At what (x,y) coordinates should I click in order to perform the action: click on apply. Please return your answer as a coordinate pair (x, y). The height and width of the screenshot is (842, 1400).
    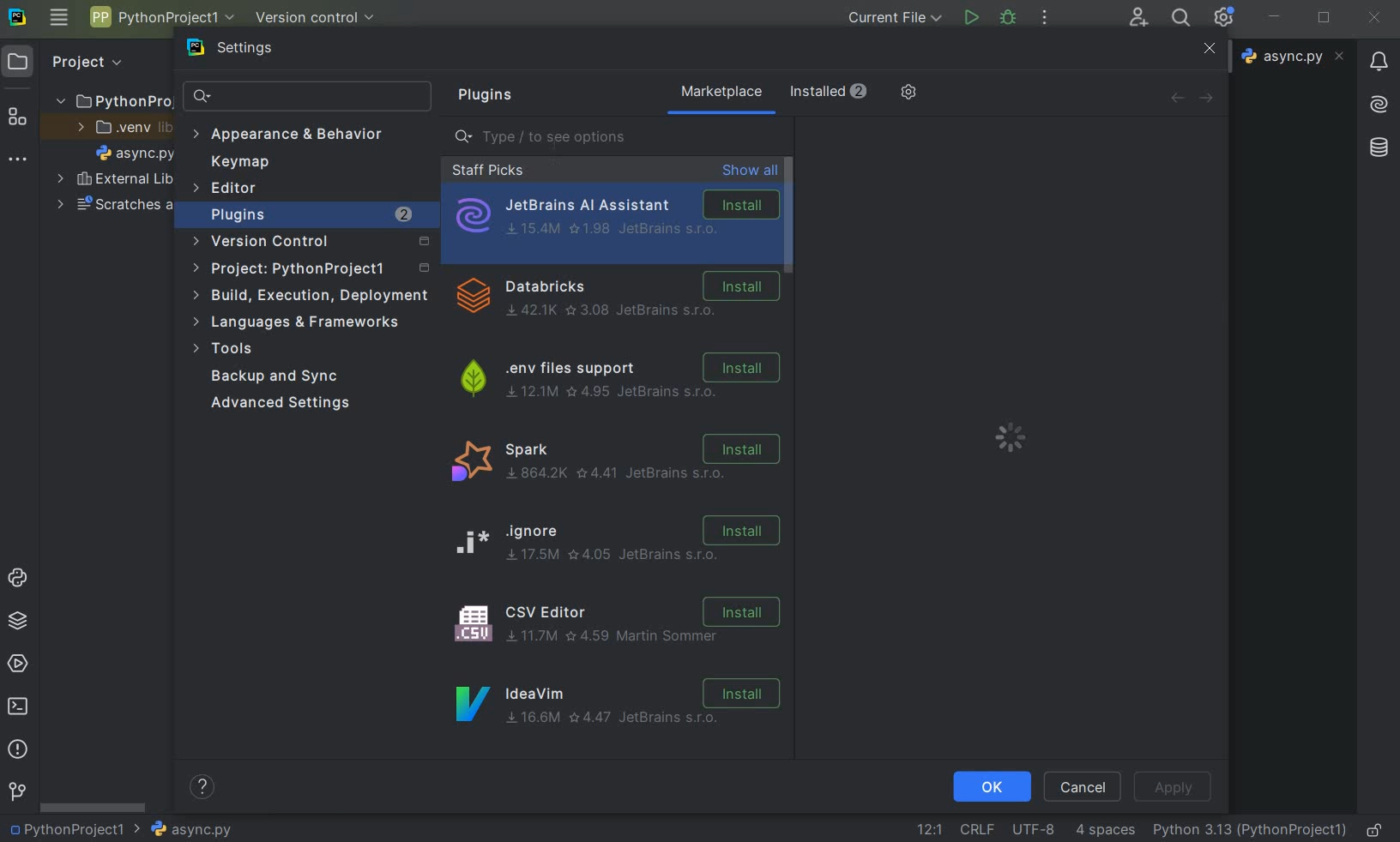
    Looking at the image, I should click on (1176, 785).